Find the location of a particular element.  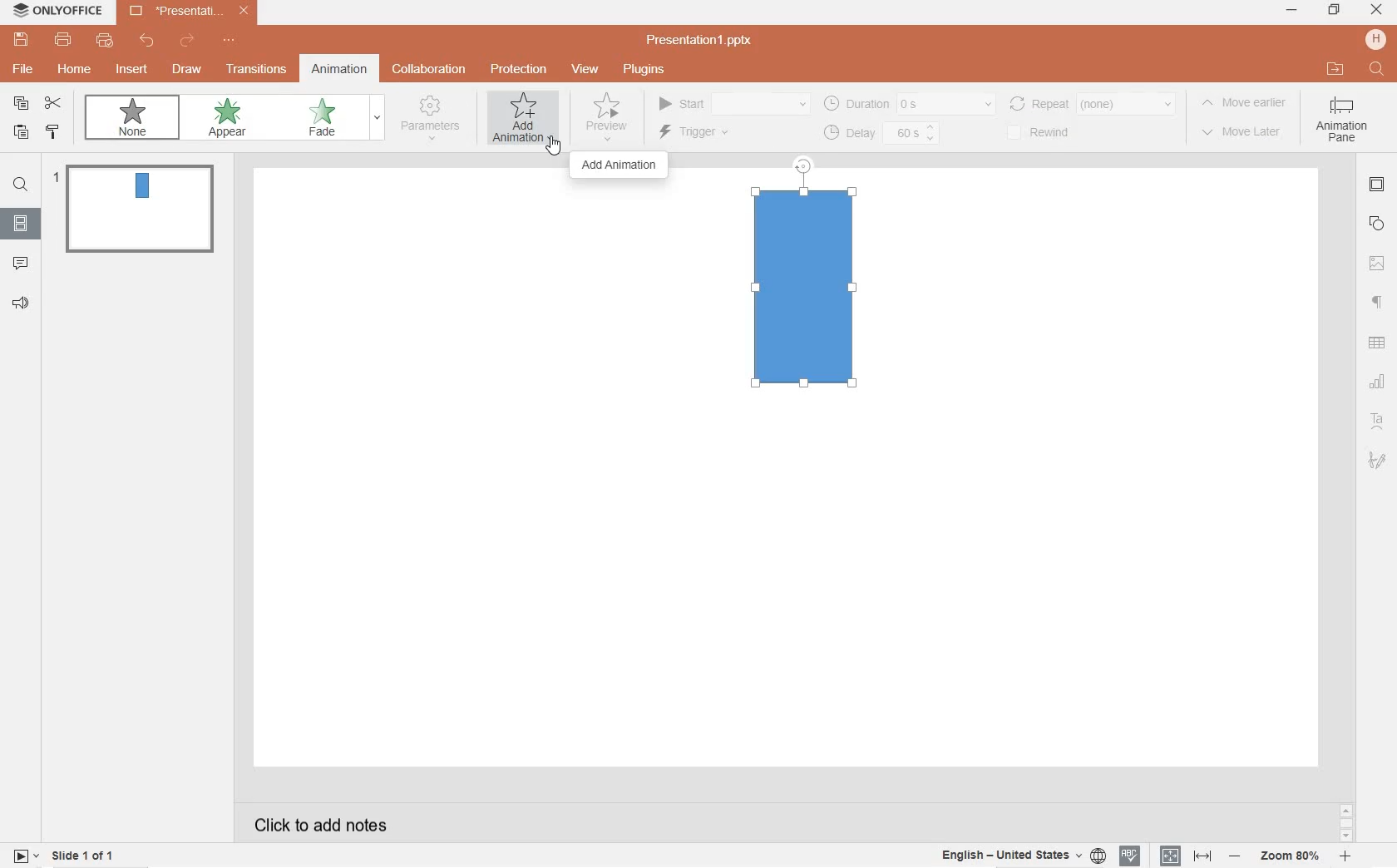

click to add notes is located at coordinates (314, 823).